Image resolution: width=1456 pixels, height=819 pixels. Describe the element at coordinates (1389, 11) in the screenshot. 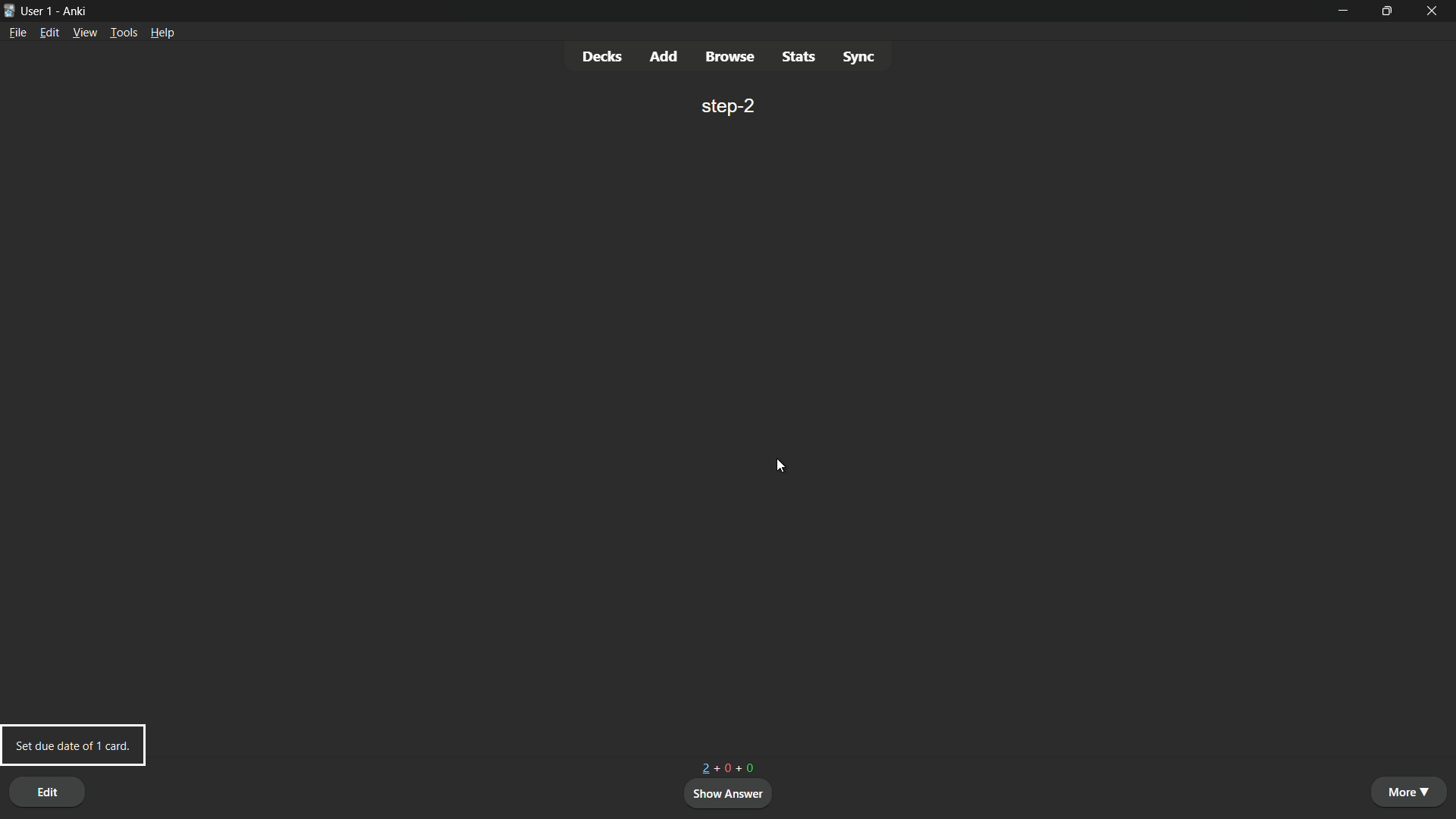

I see `maximize` at that location.